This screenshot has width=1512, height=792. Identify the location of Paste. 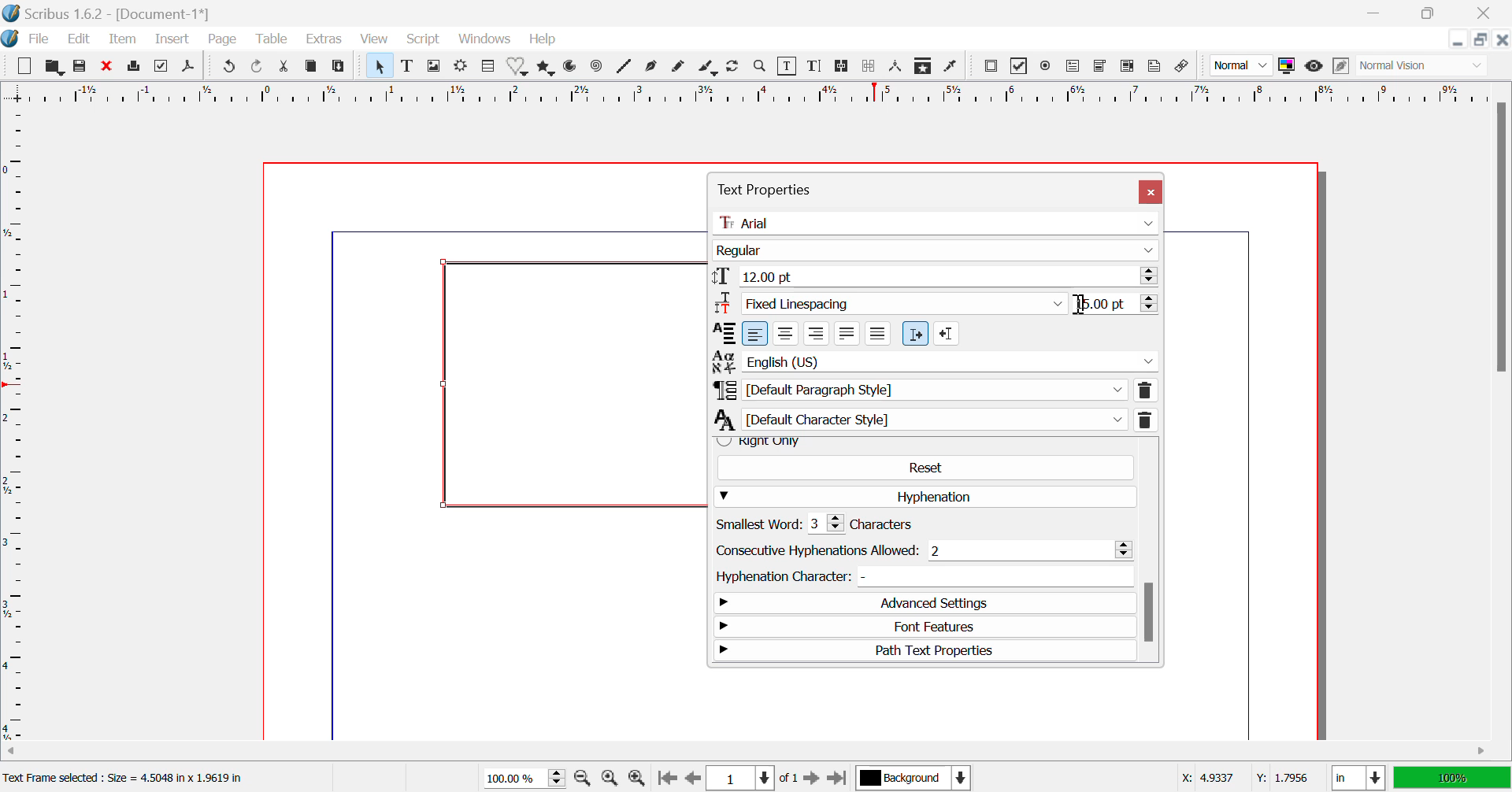
(339, 68).